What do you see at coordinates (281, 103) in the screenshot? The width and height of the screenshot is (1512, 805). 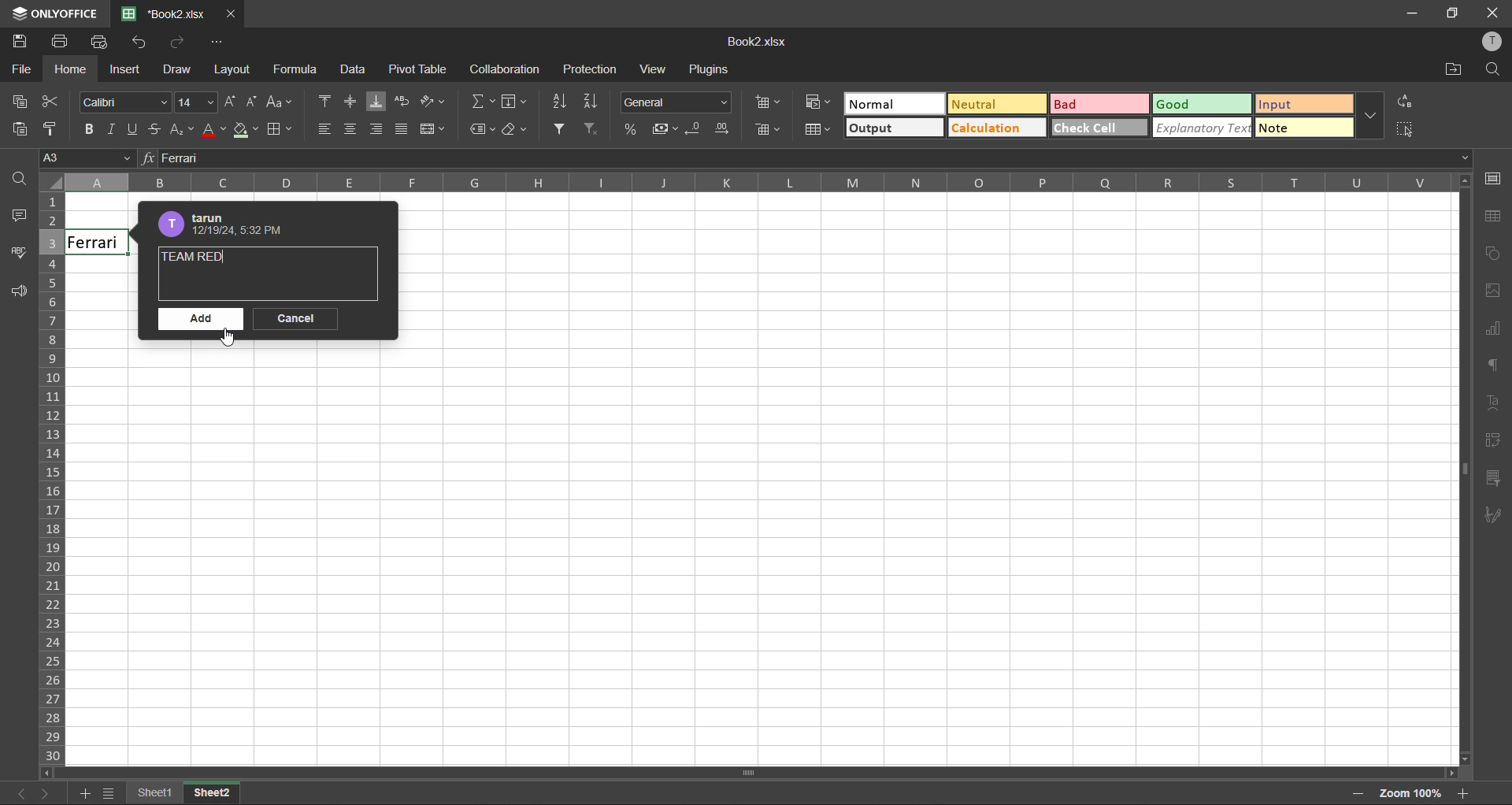 I see `change case` at bounding box center [281, 103].